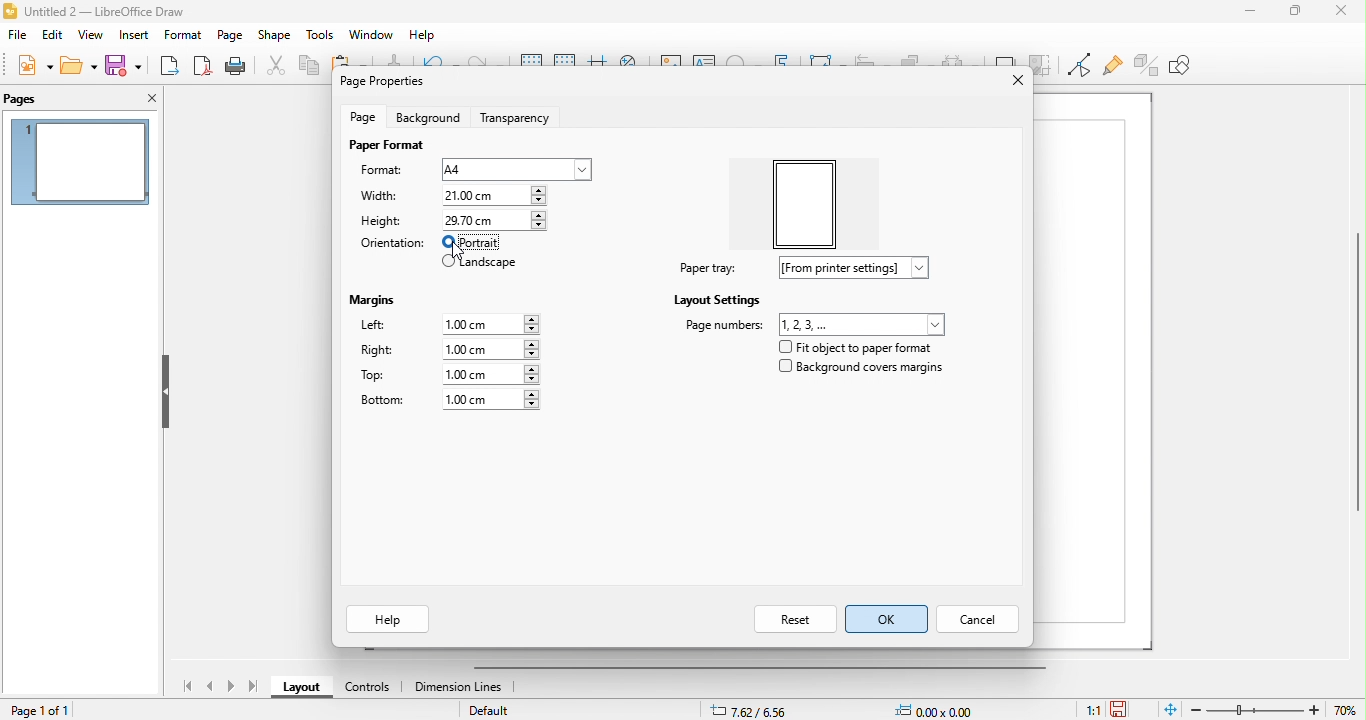 This screenshot has height=720, width=1366. Describe the element at coordinates (79, 66) in the screenshot. I see `open` at that location.